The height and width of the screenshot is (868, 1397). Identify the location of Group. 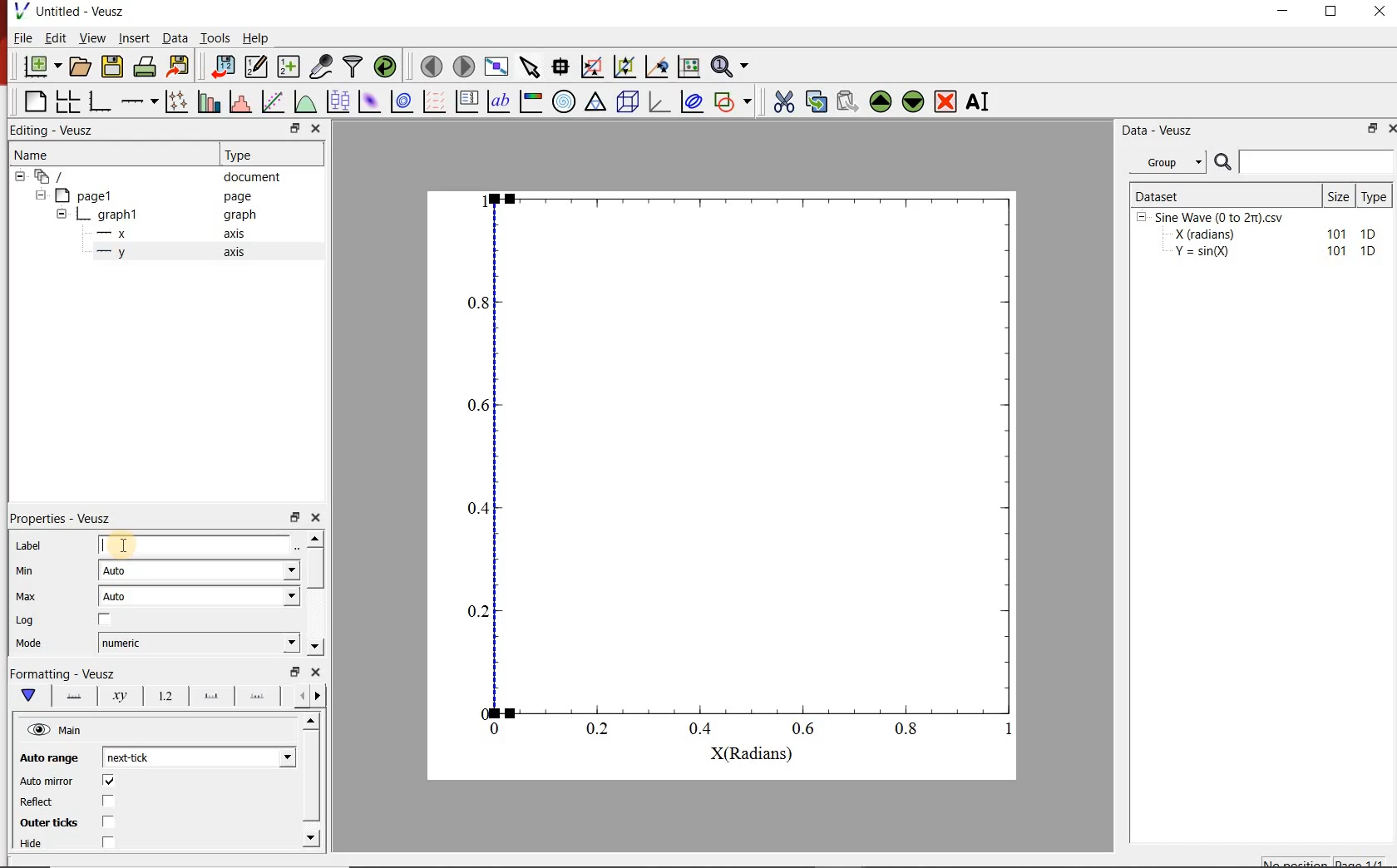
(1172, 162).